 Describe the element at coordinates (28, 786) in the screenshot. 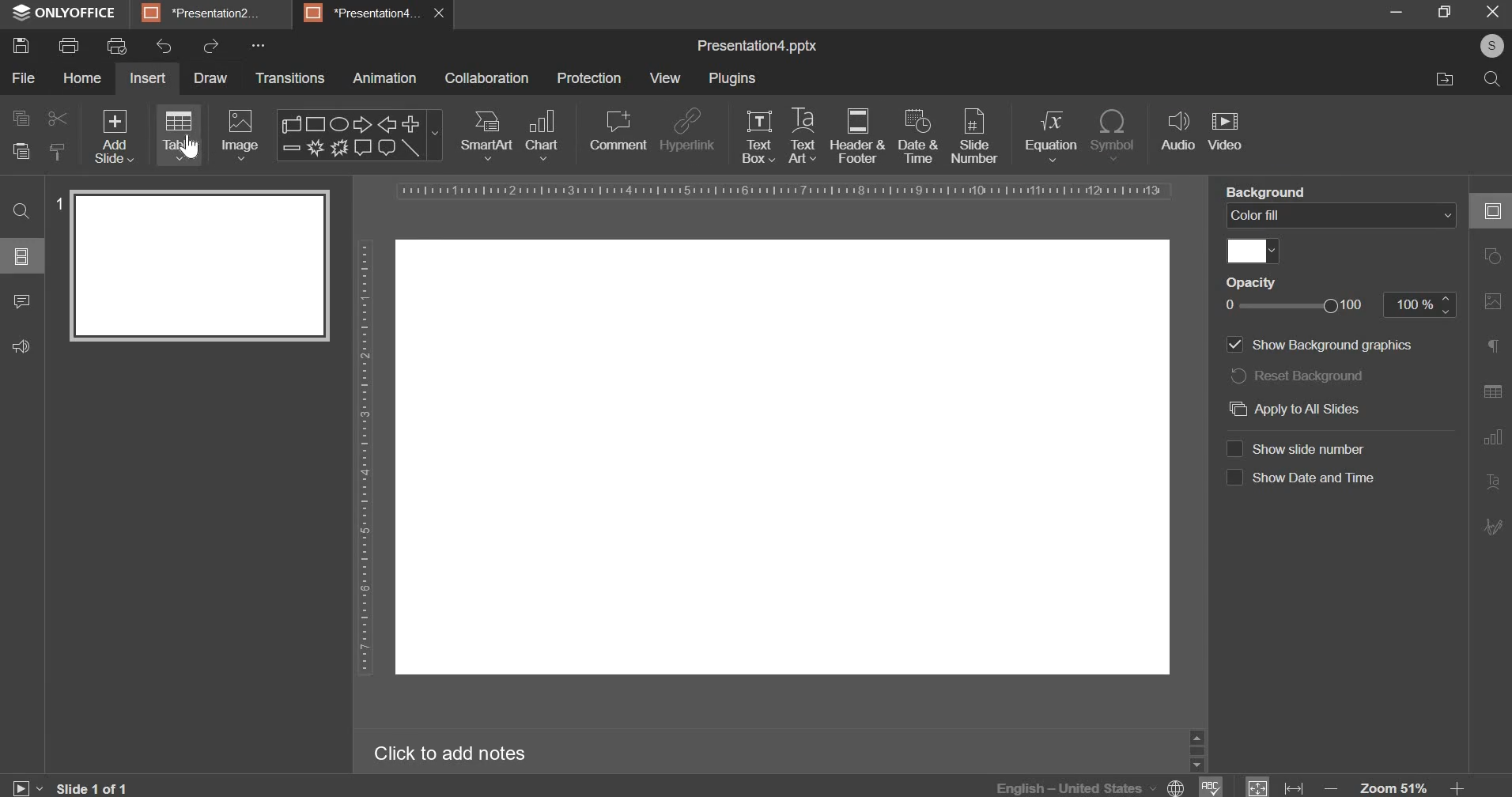

I see `slideshow` at that location.